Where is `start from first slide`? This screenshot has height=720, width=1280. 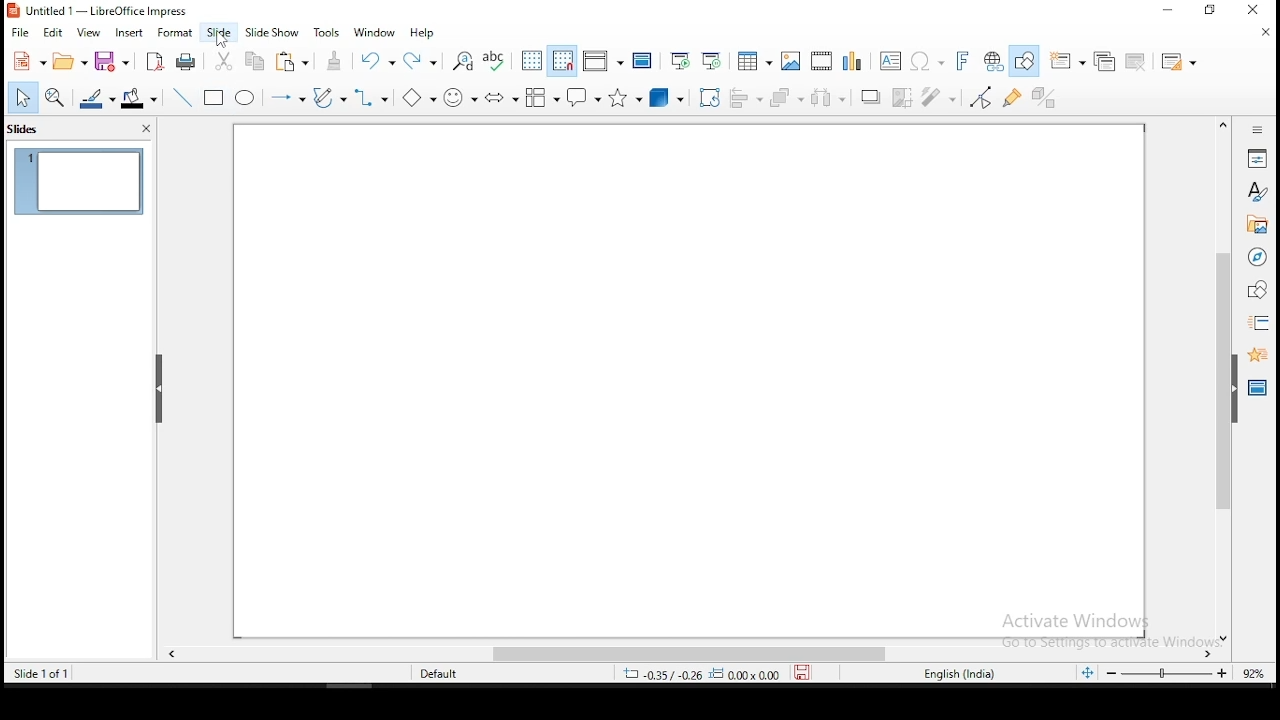
start from first slide is located at coordinates (680, 59).